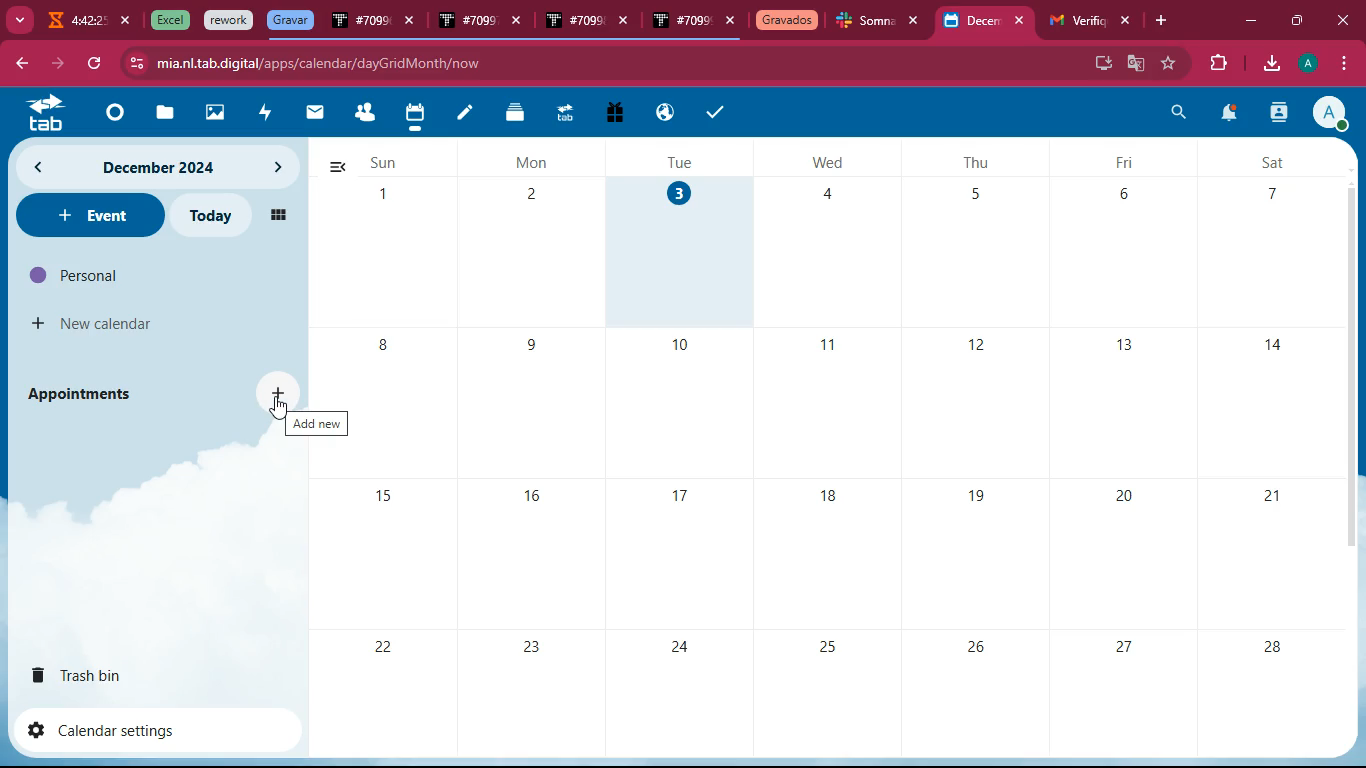 The height and width of the screenshot is (768, 1366). I want to click on appointments, so click(86, 393).